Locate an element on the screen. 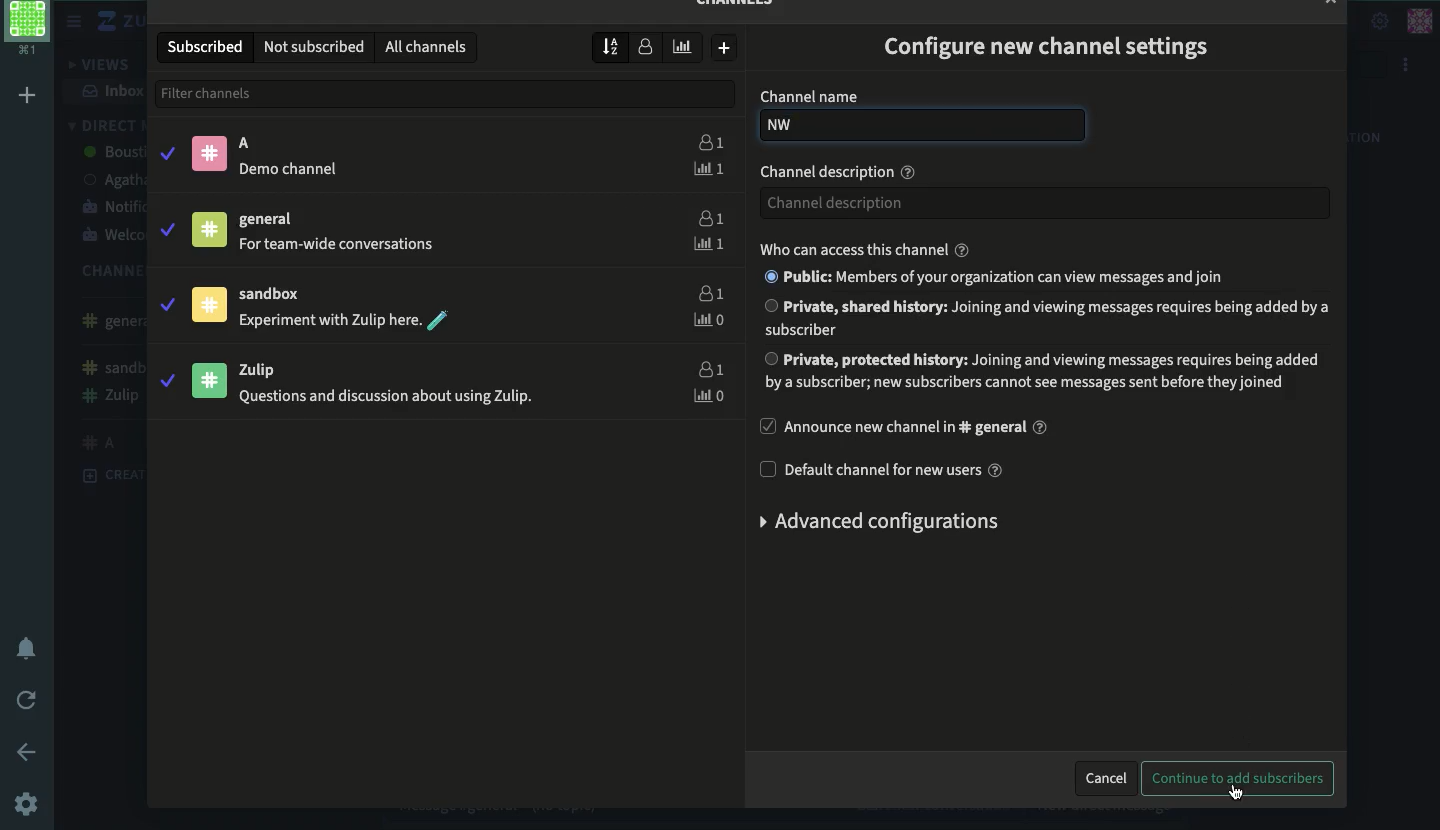  who can access this channel? is located at coordinates (872, 250).